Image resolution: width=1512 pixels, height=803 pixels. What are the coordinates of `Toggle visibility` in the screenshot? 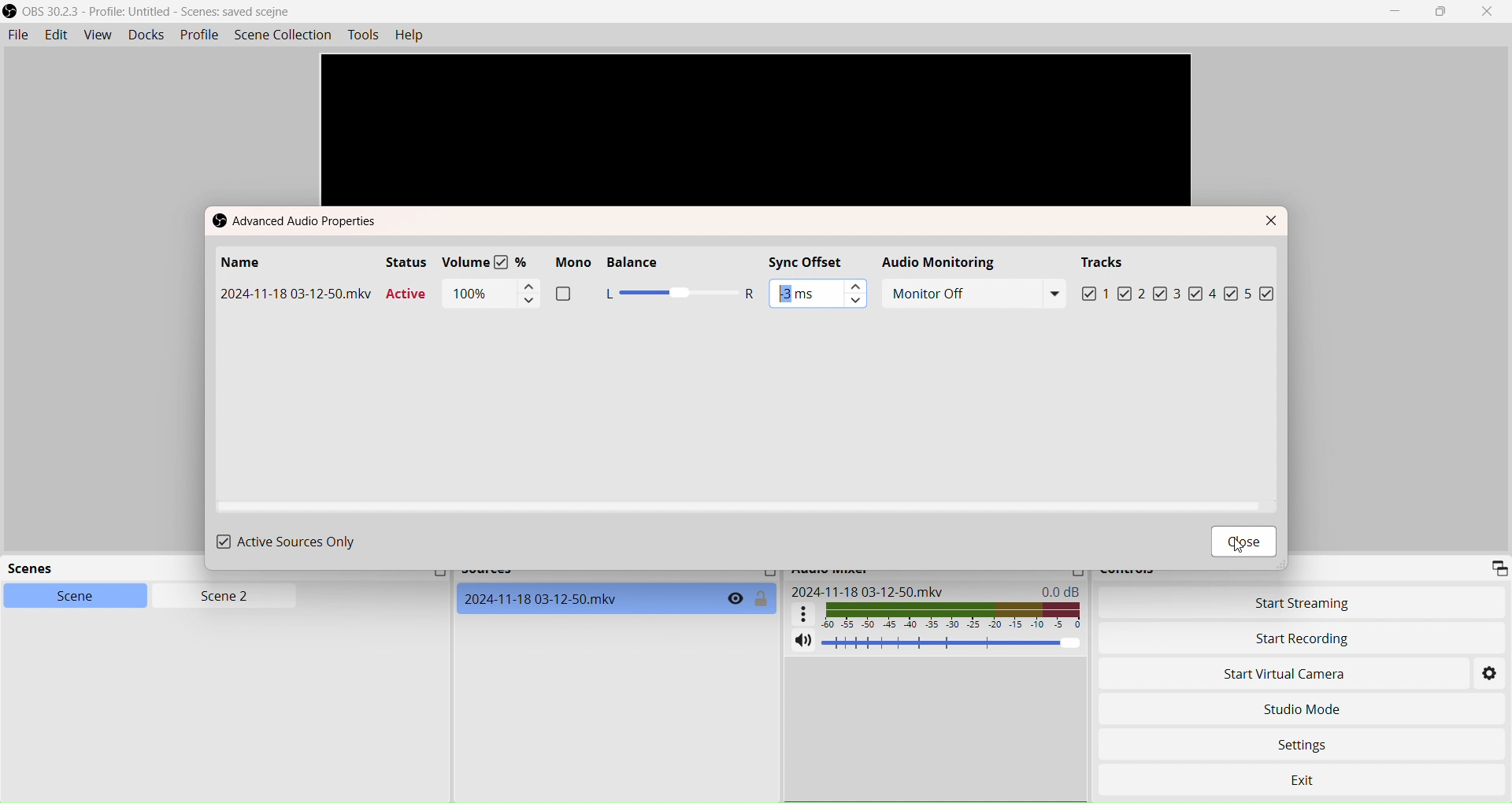 It's located at (735, 599).